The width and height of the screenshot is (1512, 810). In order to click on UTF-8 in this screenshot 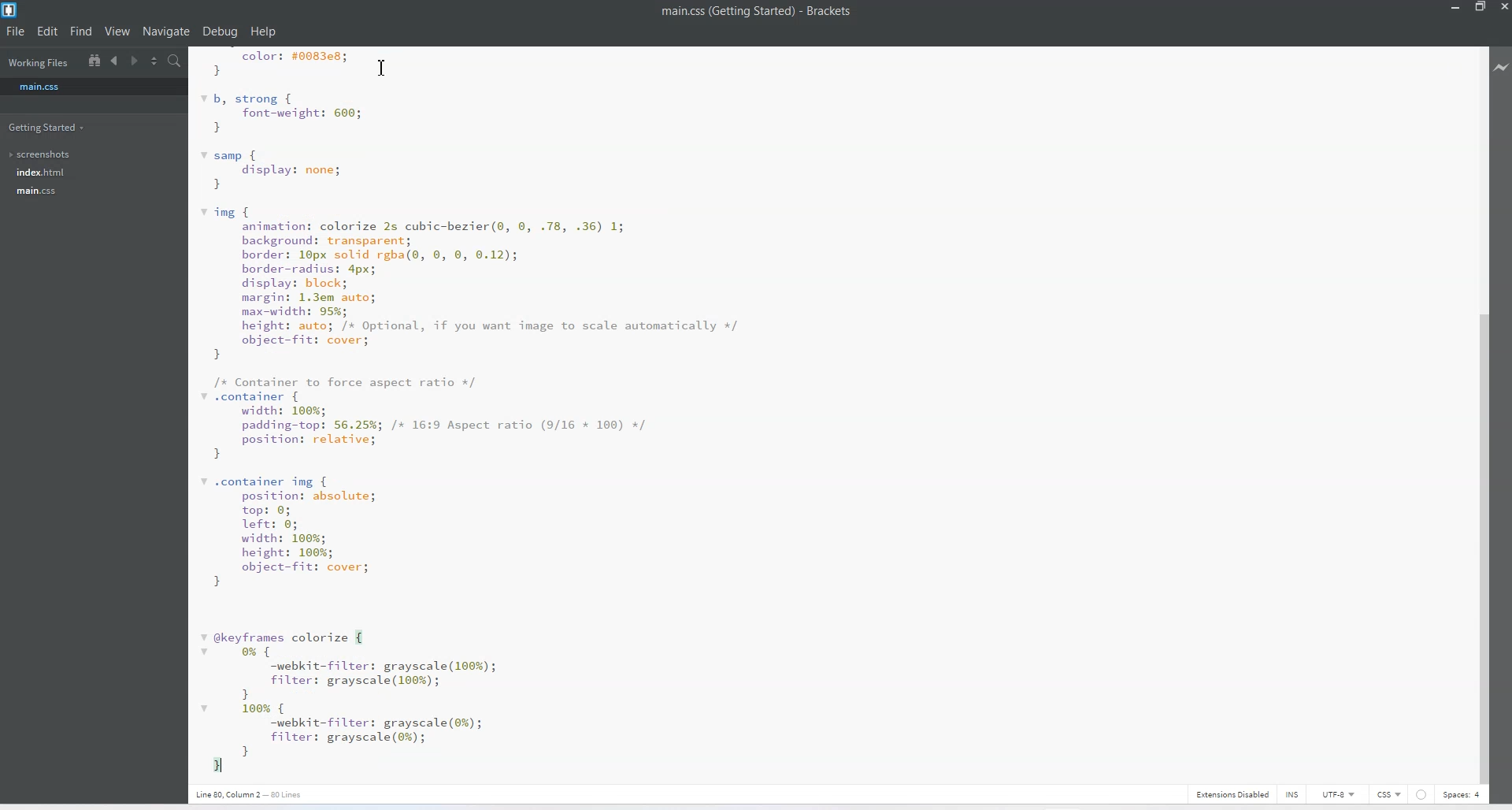, I will do `click(1340, 794)`.